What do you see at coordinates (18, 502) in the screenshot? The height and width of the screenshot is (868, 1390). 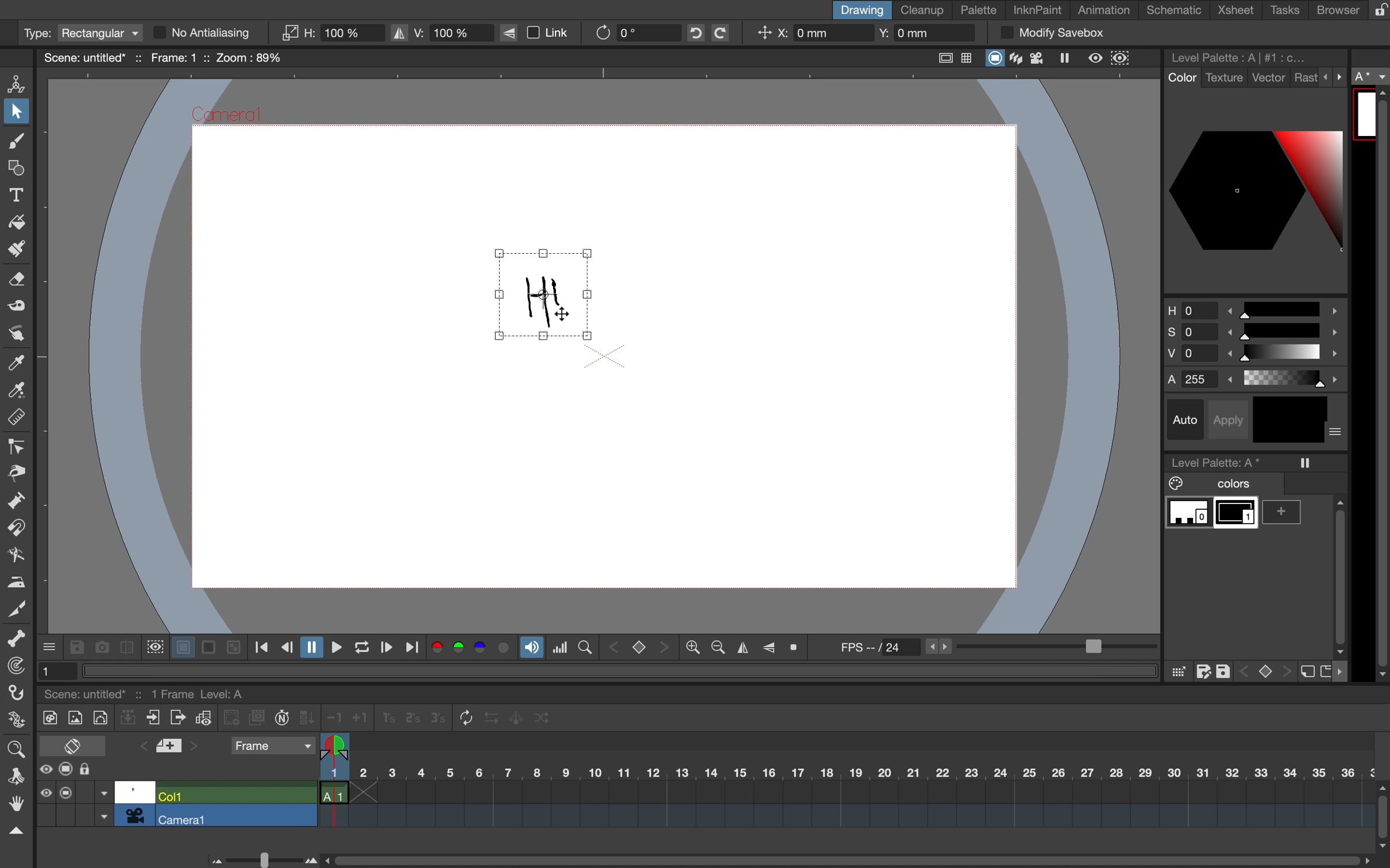 I see `pump tool` at bounding box center [18, 502].